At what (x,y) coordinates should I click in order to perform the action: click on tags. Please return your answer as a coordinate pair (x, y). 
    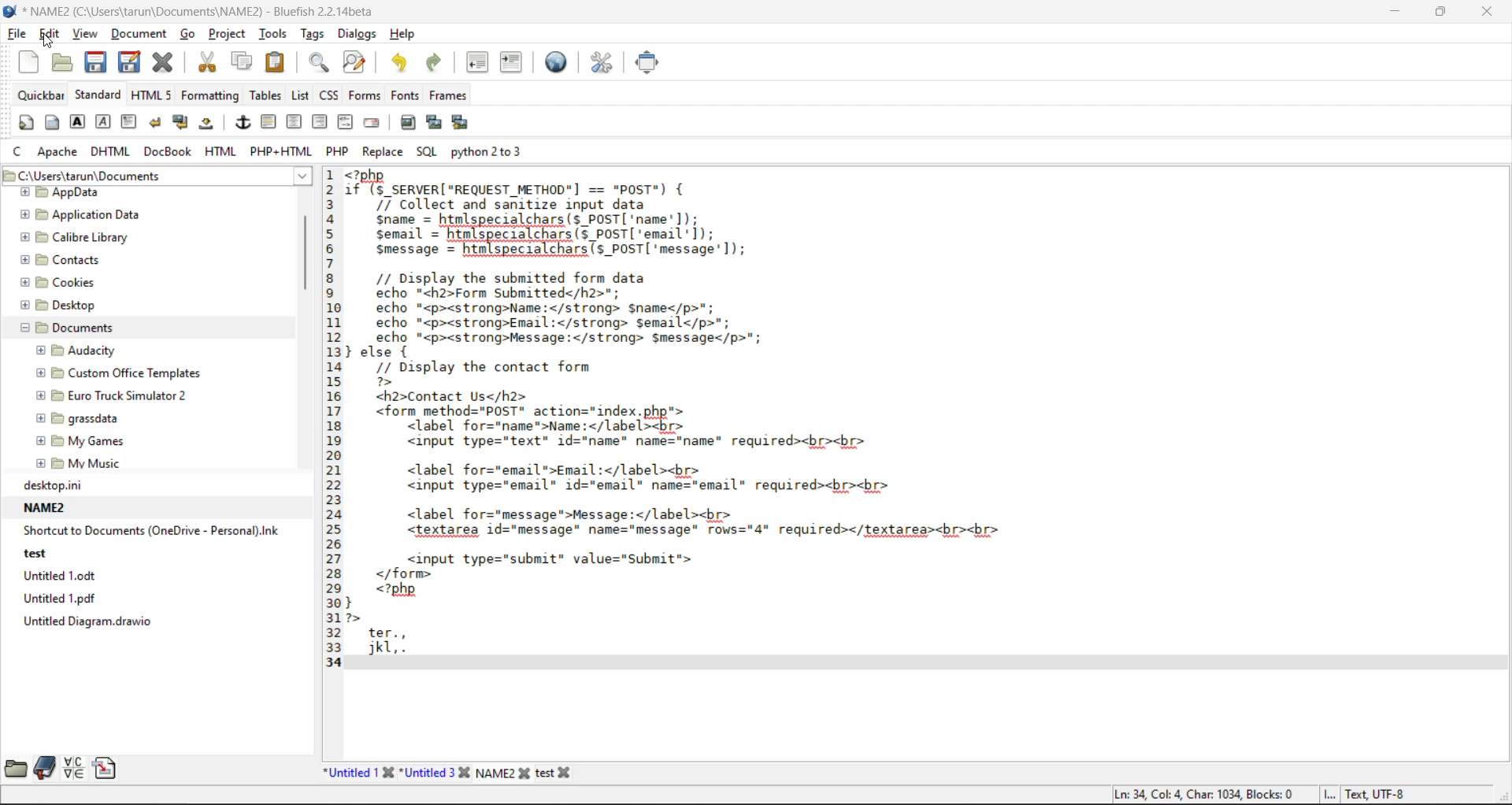
    Looking at the image, I should click on (317, 35).